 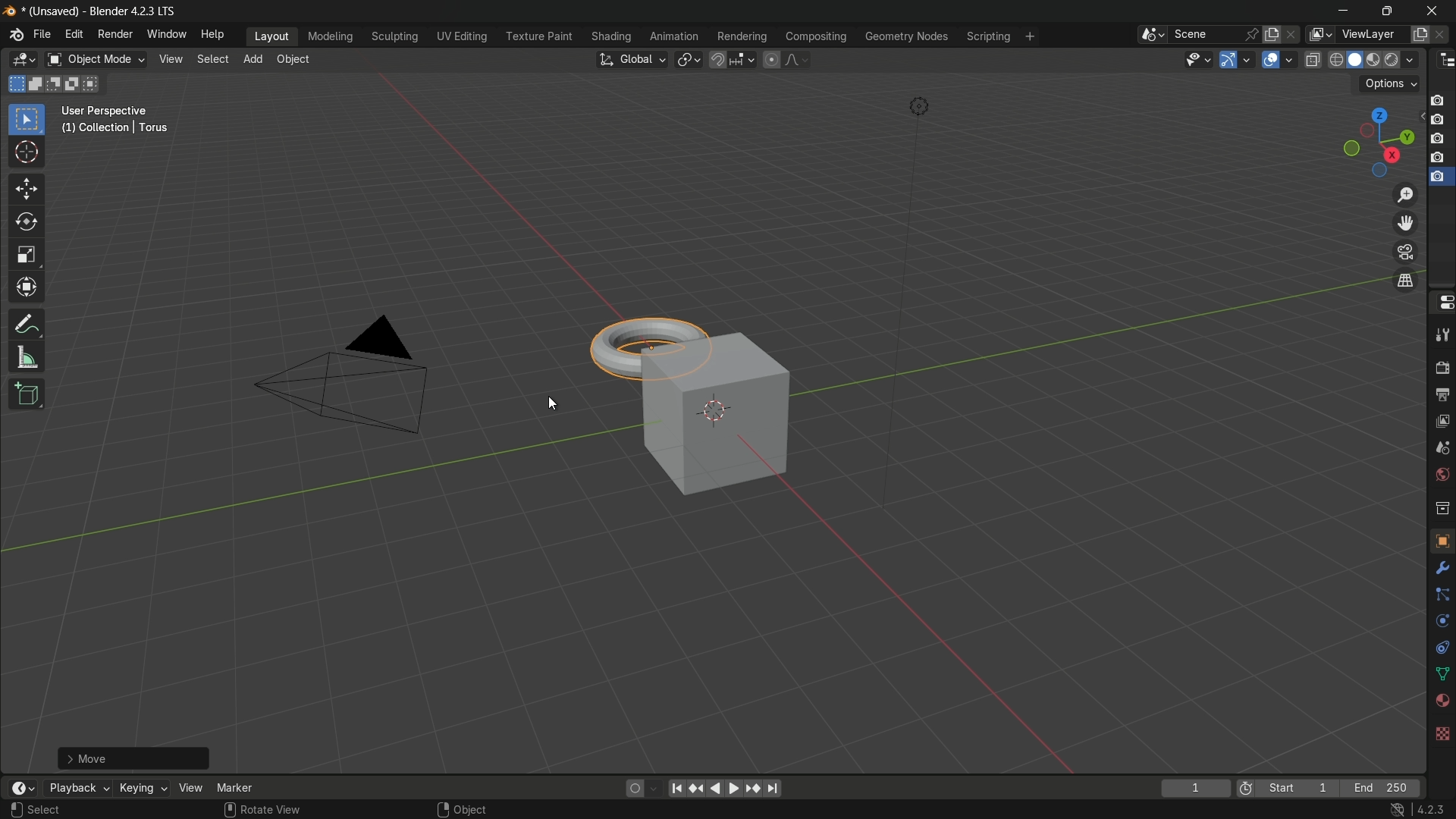 I want to click on show overlay, so click(x=1270, y=60).